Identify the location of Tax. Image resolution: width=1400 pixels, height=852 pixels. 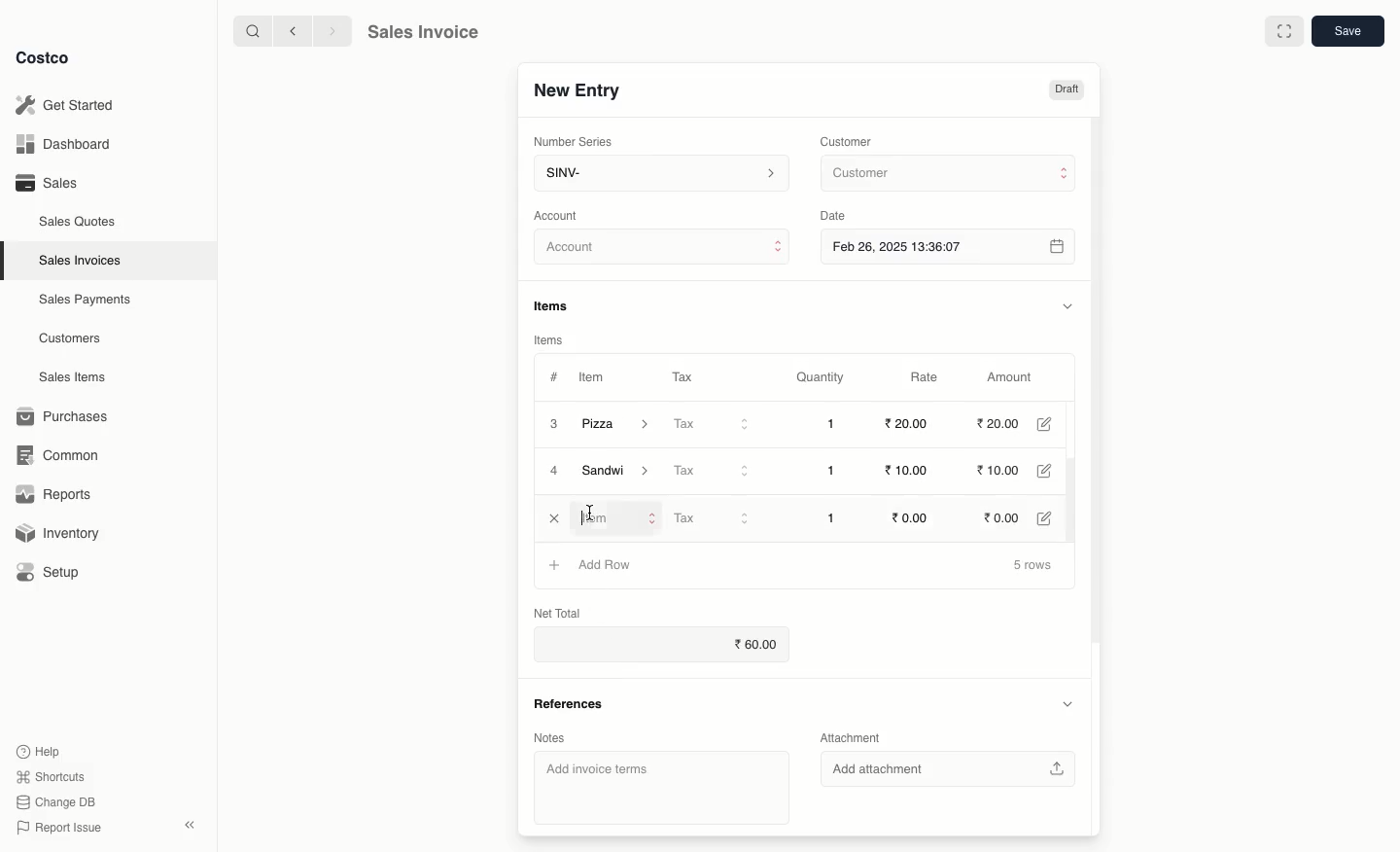
(714, 425).